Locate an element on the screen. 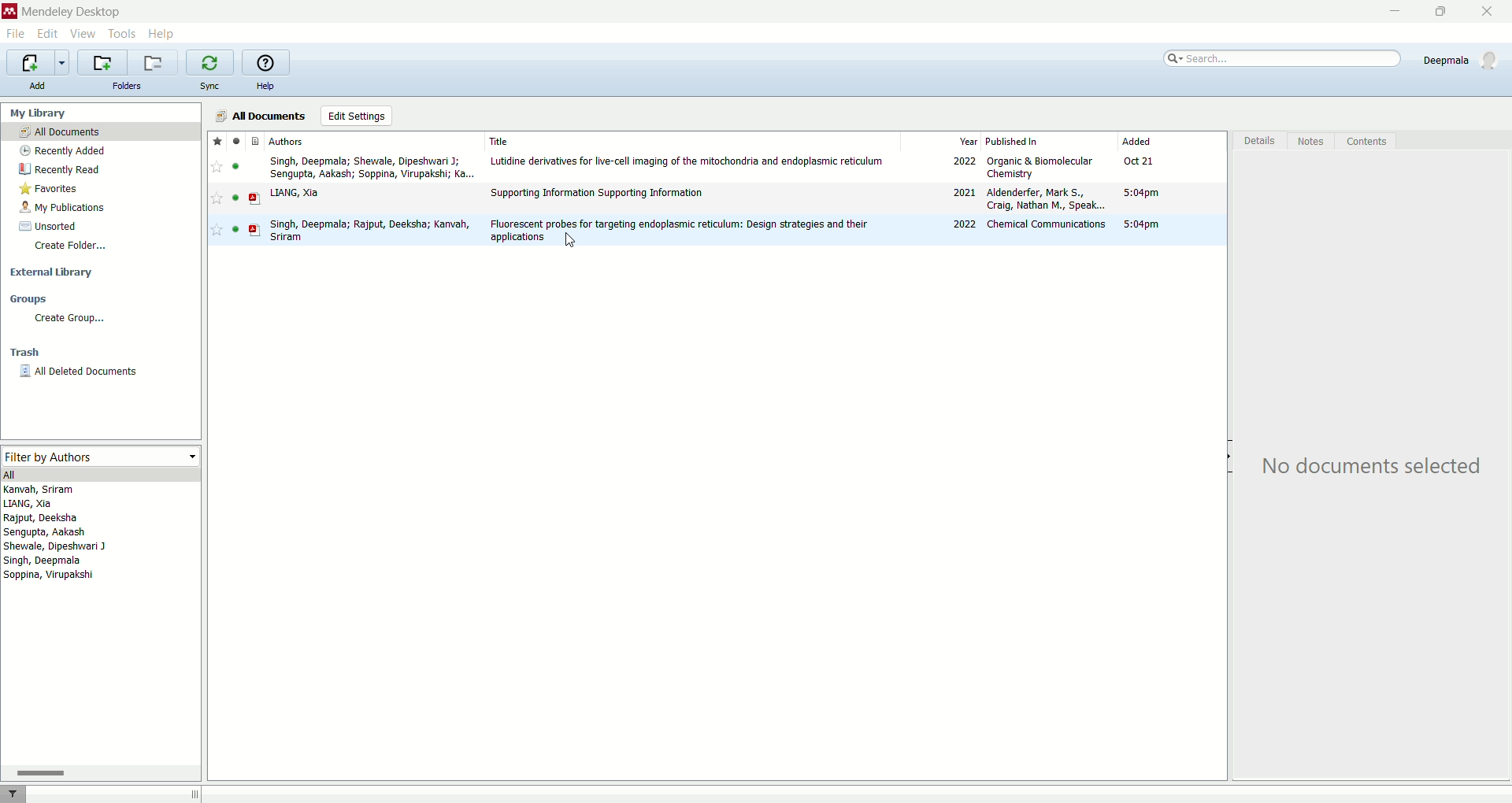 The image size is (1512, 803). create group is located at coordinates (68, 320).